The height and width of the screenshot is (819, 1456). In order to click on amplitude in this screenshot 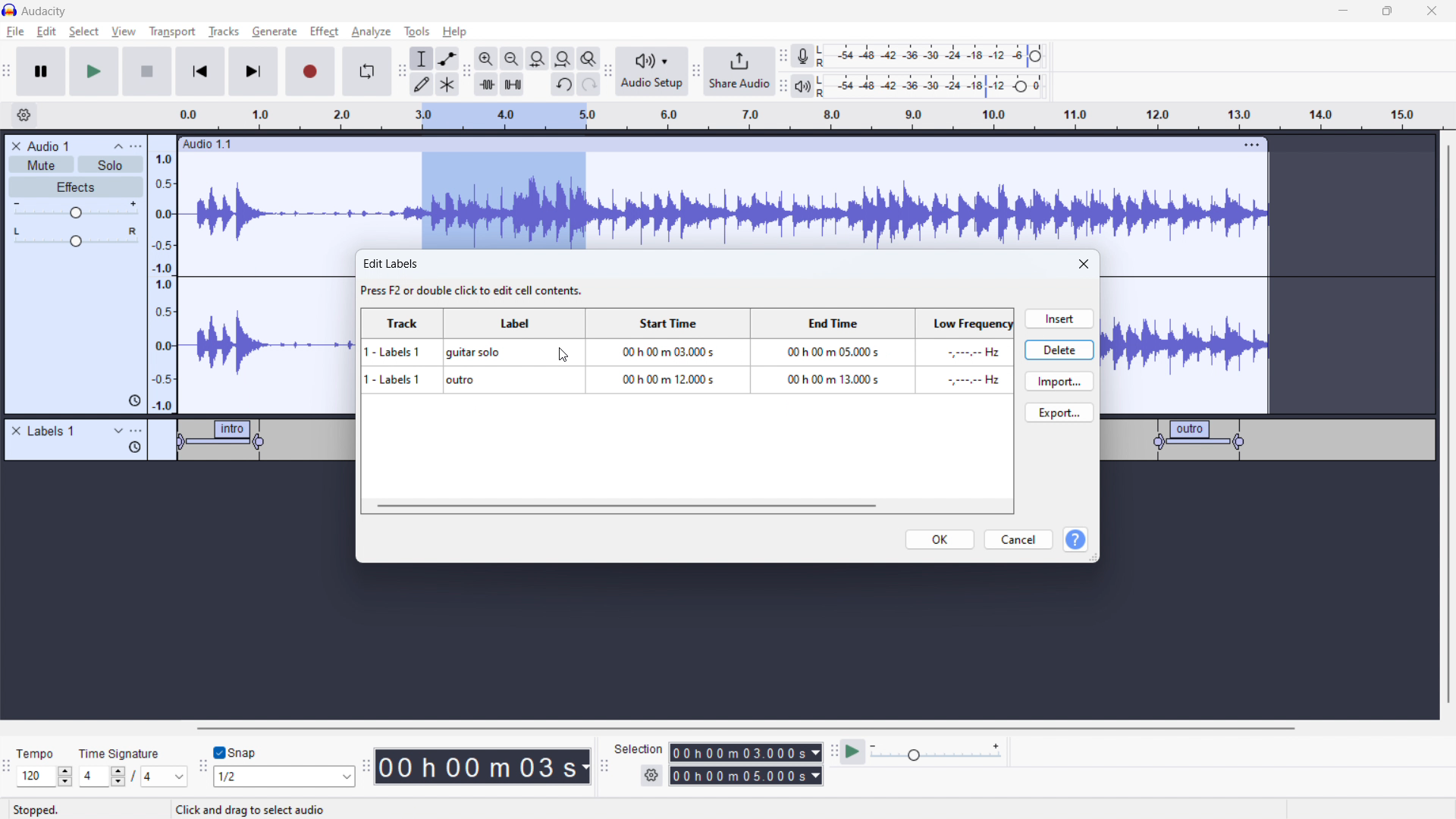, I will do `click(163, 274)`.